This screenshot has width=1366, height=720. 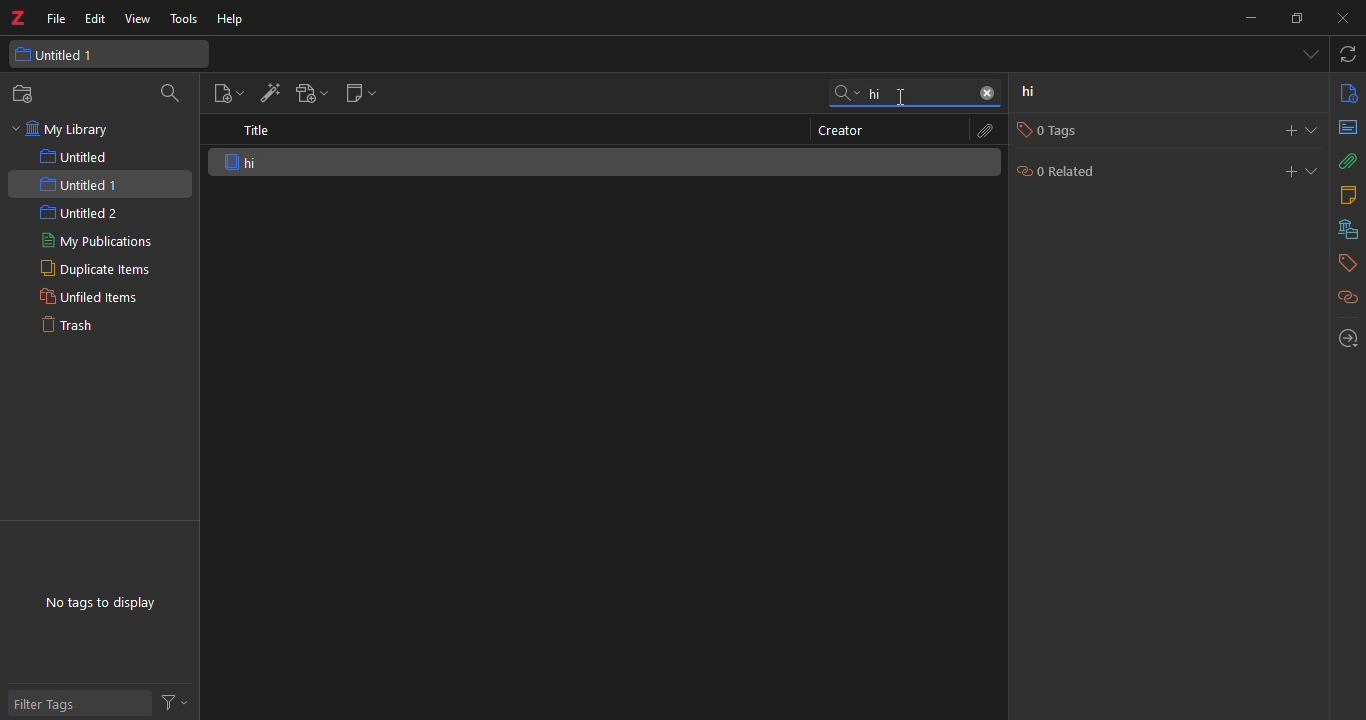 What do you see at coordinates (1347, 298) in the screenshot?
I see `related` at bounding box center [1347, 298].